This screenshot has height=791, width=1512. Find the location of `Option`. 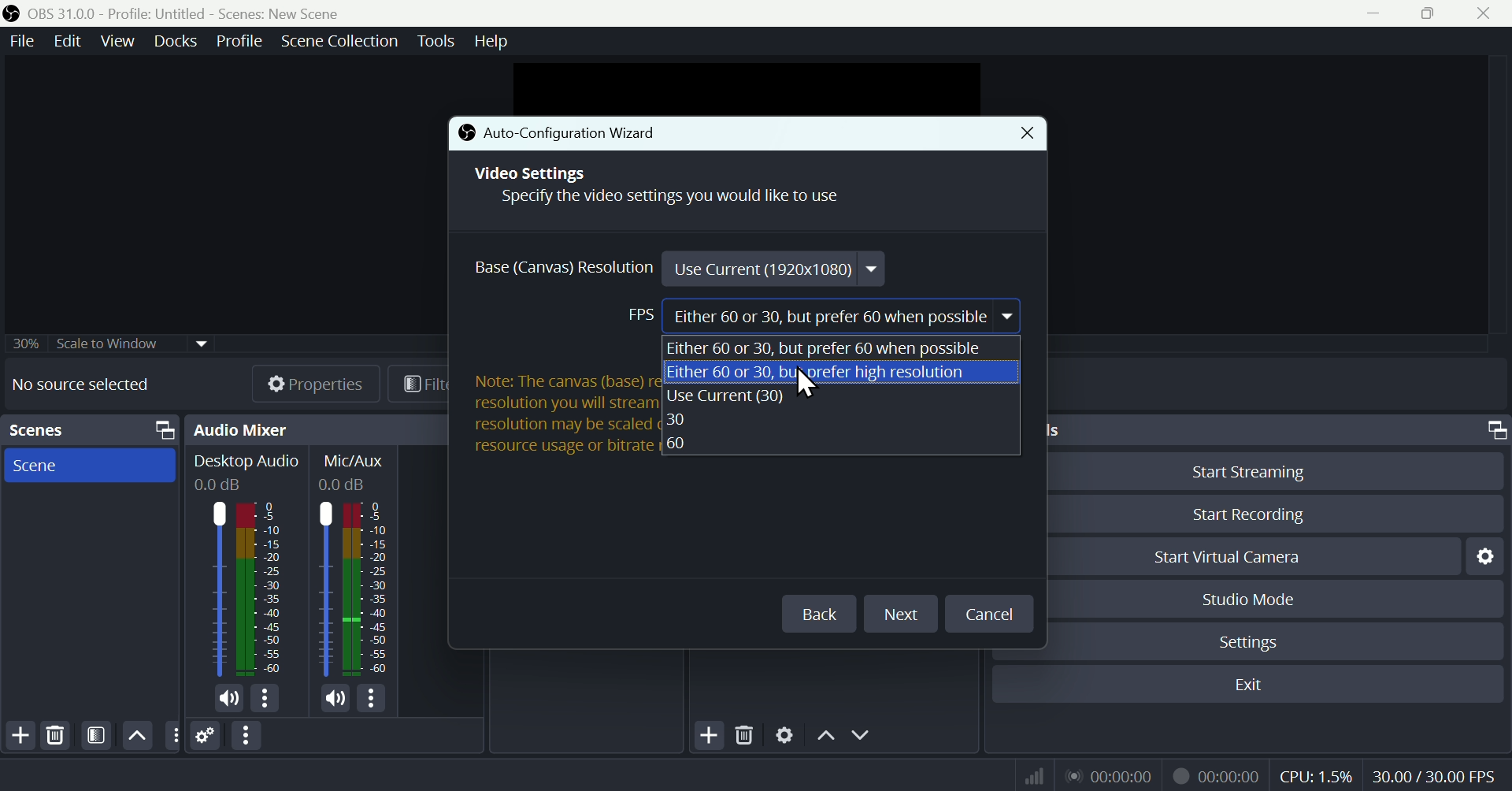

Option is located at coordinates (248, 736).